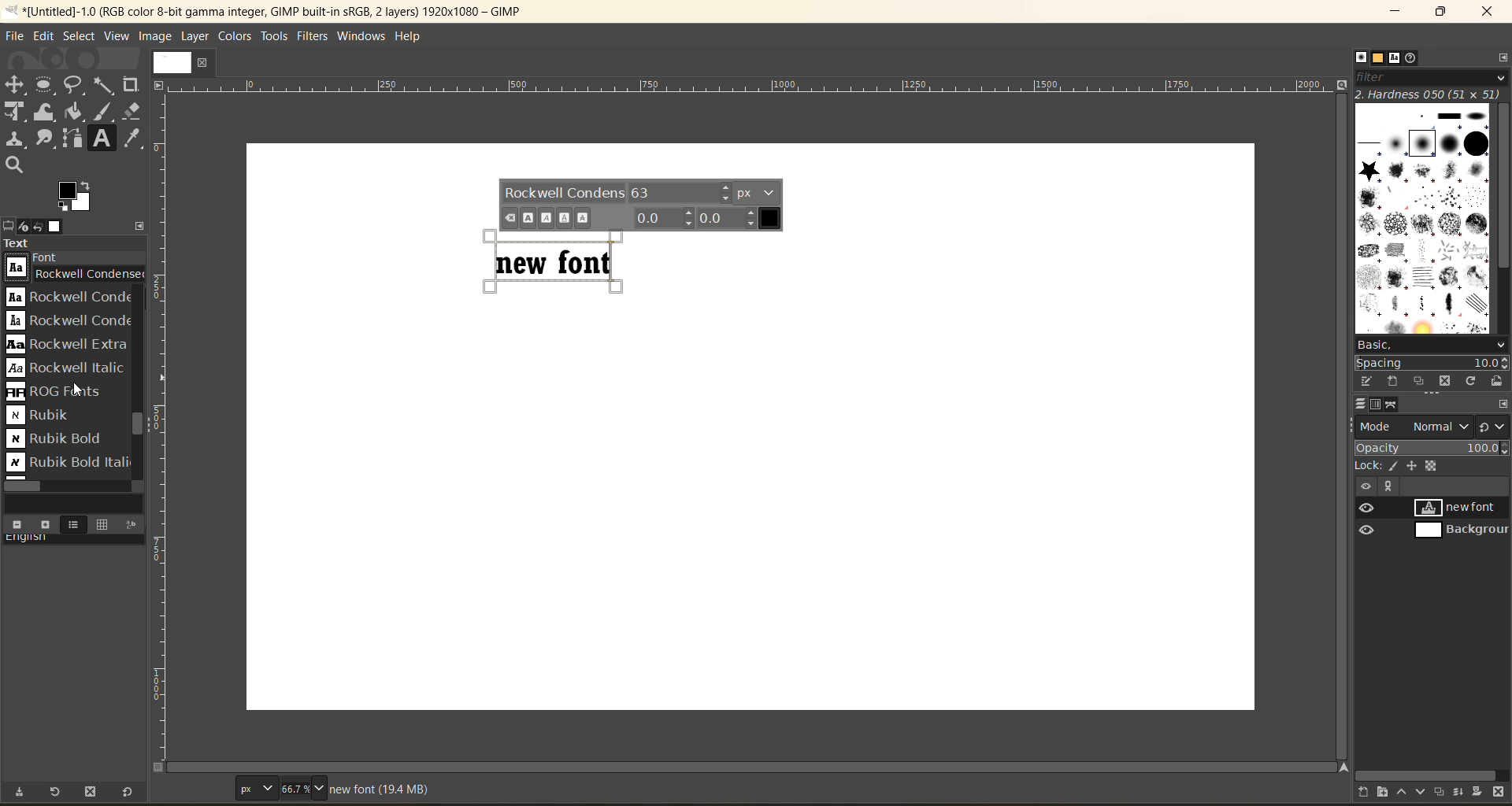 The image size is (1512, 806). I want to click on vertical scroll bar, so click(1502, 188).